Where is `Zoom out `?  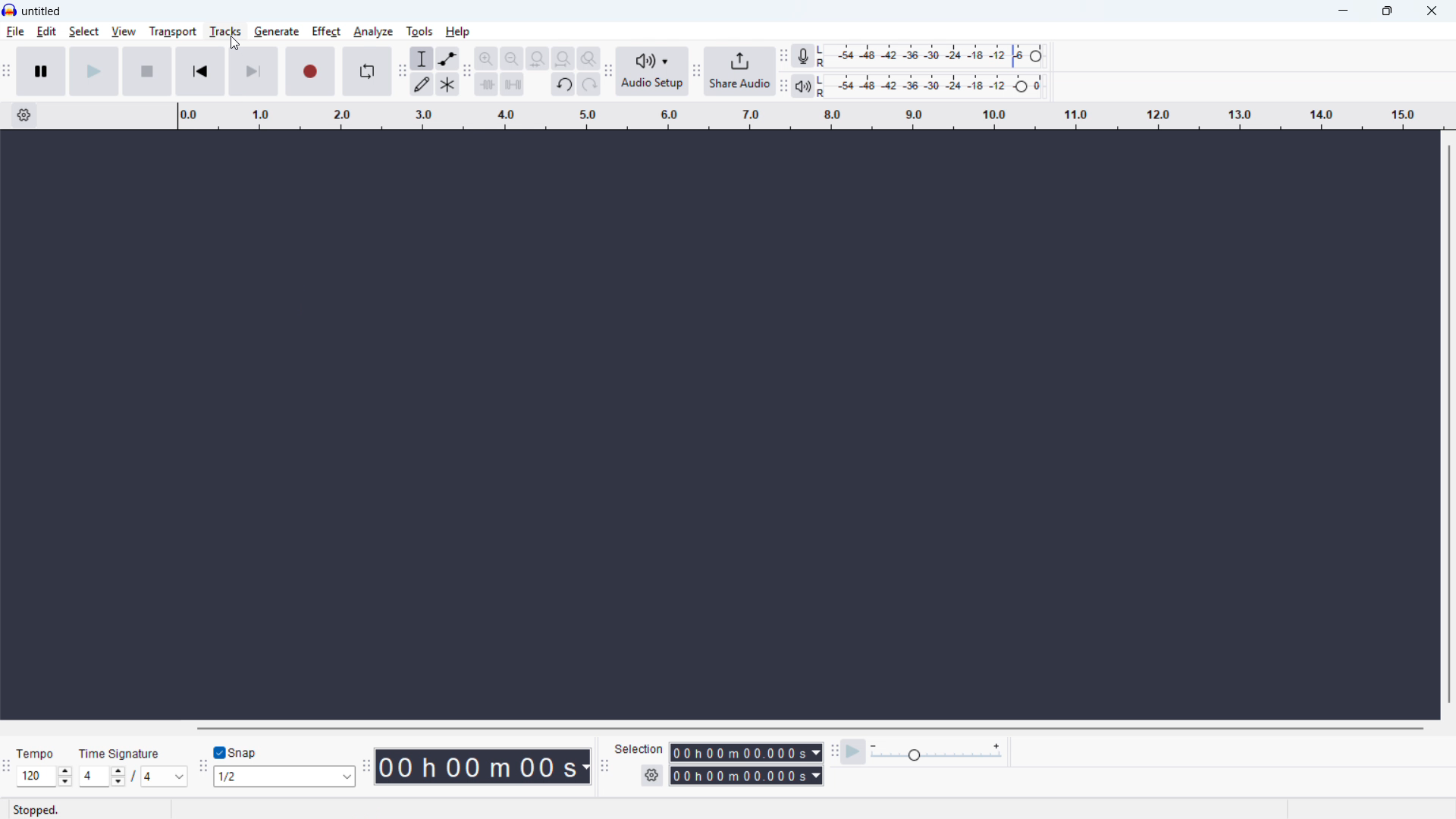 Zoom out  is located at coordinates (487, 58).